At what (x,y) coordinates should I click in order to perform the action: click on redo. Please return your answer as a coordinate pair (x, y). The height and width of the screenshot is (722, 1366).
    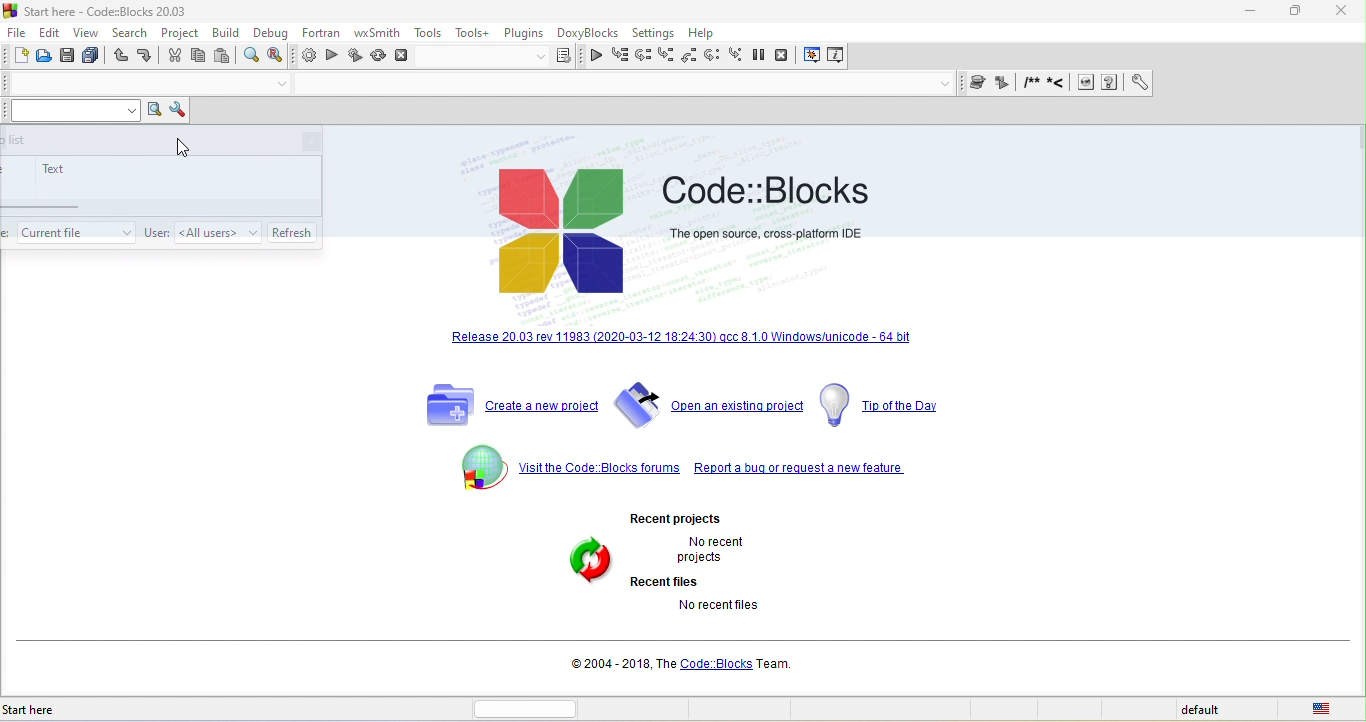
    Looking at the image, I should click on (145, 58).